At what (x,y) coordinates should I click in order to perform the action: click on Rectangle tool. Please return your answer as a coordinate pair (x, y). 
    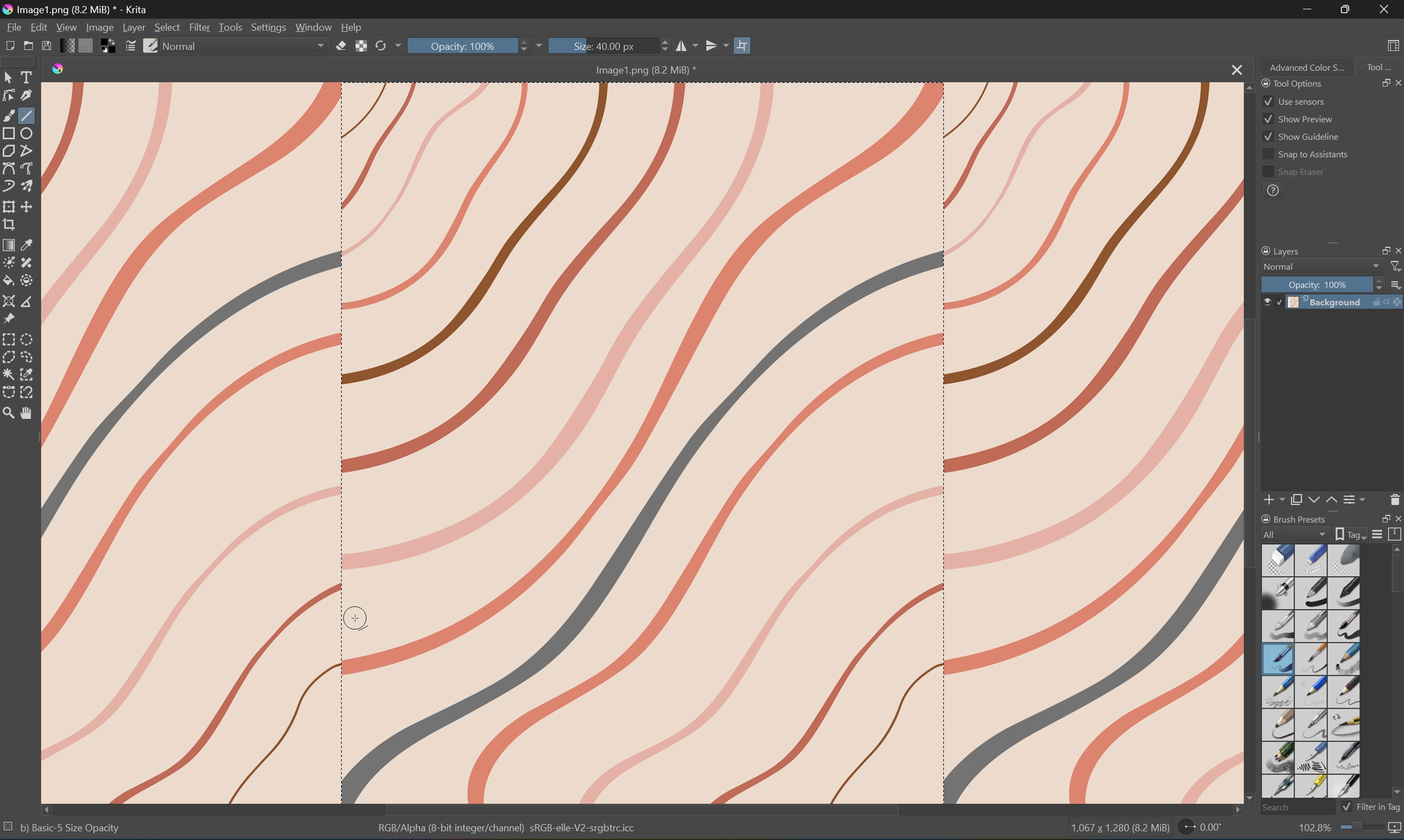
    Looking at the image, I should click on (9, 133).